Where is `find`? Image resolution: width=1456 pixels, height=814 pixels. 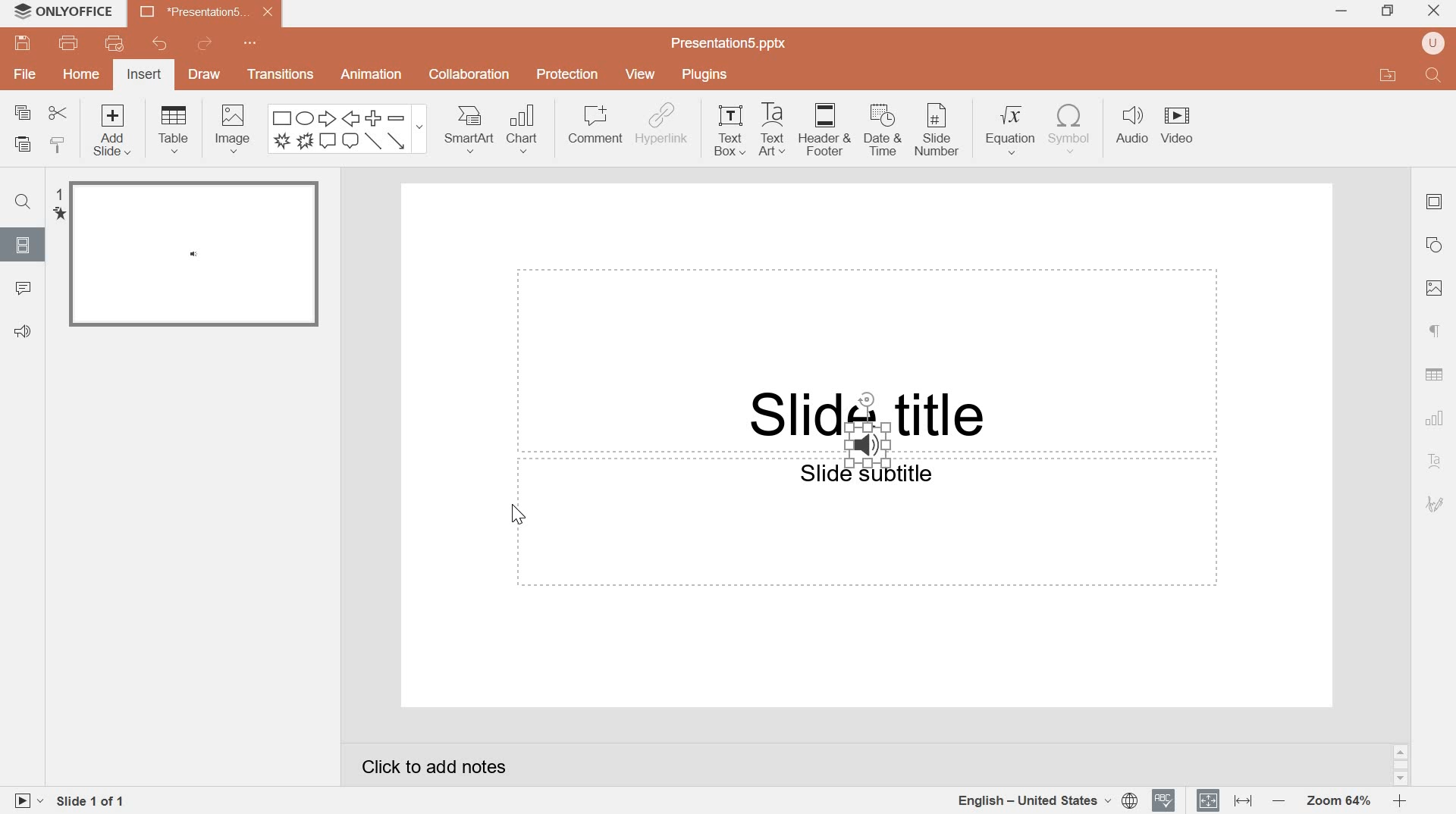 find is located at coordinates (22, 202).